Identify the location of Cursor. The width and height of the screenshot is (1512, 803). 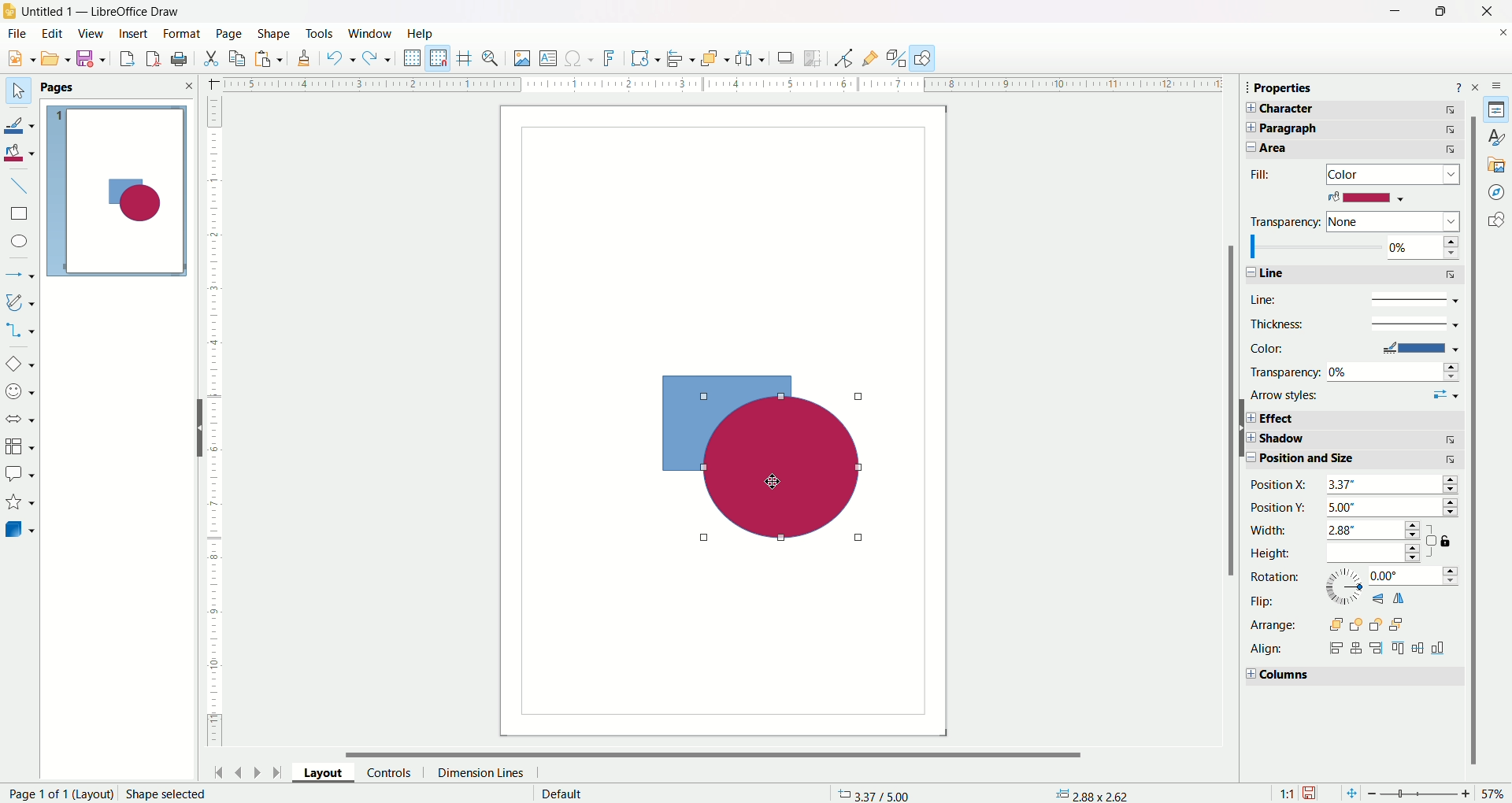
(767, 479).